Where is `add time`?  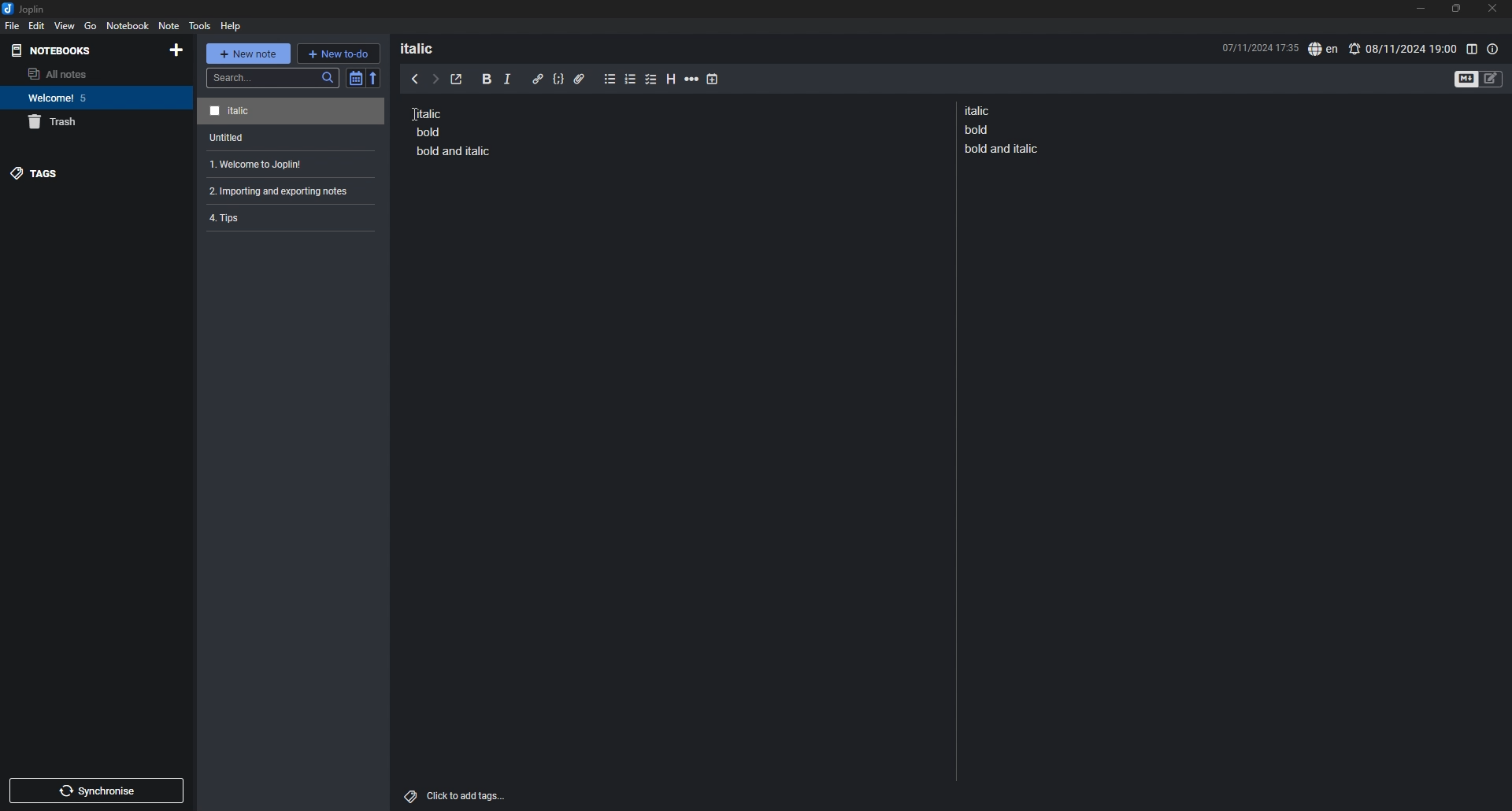
add time is located at coordinates (713, 79).